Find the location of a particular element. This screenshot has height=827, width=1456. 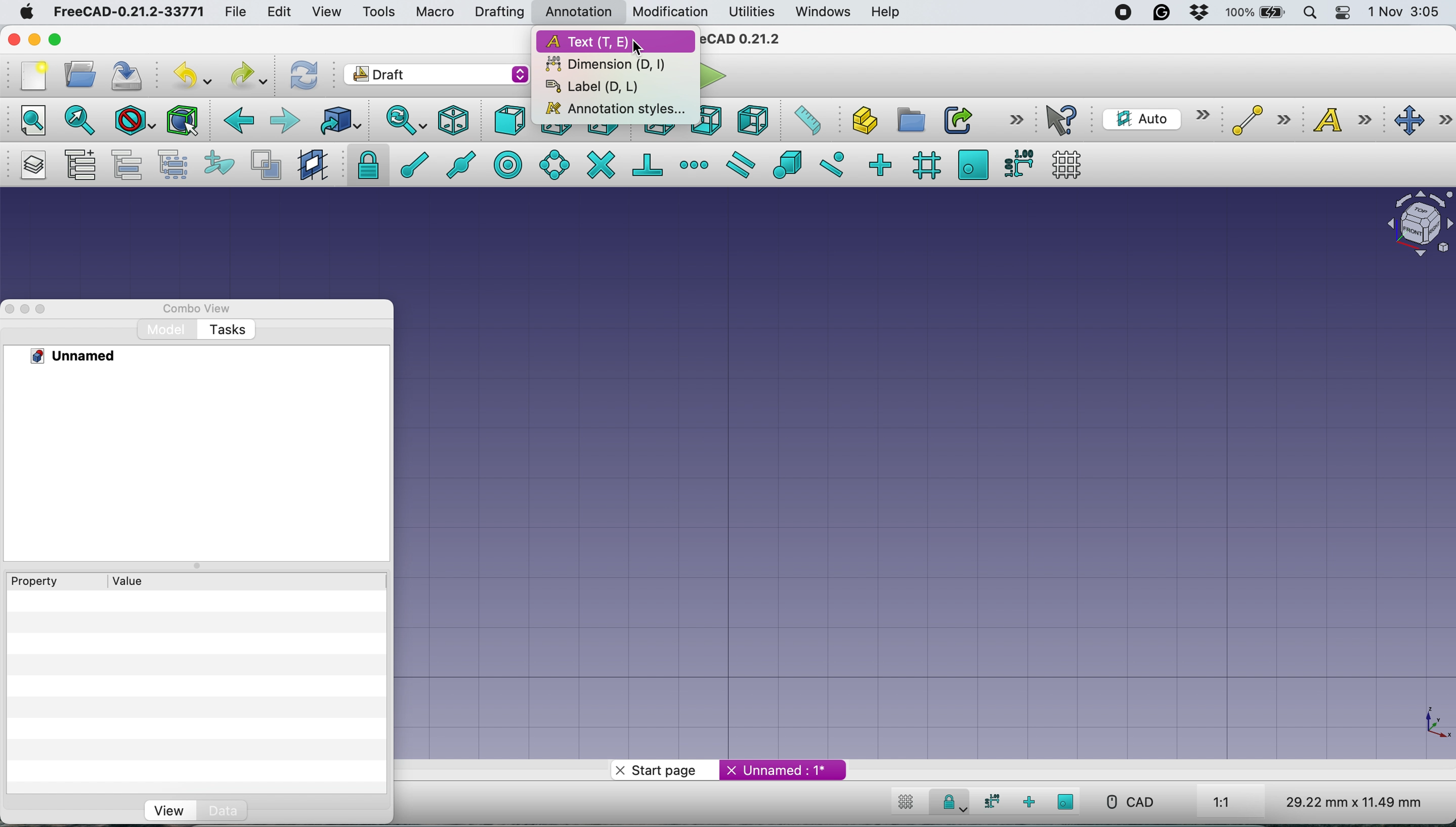

what's this is located at coordinates (1066, 119).